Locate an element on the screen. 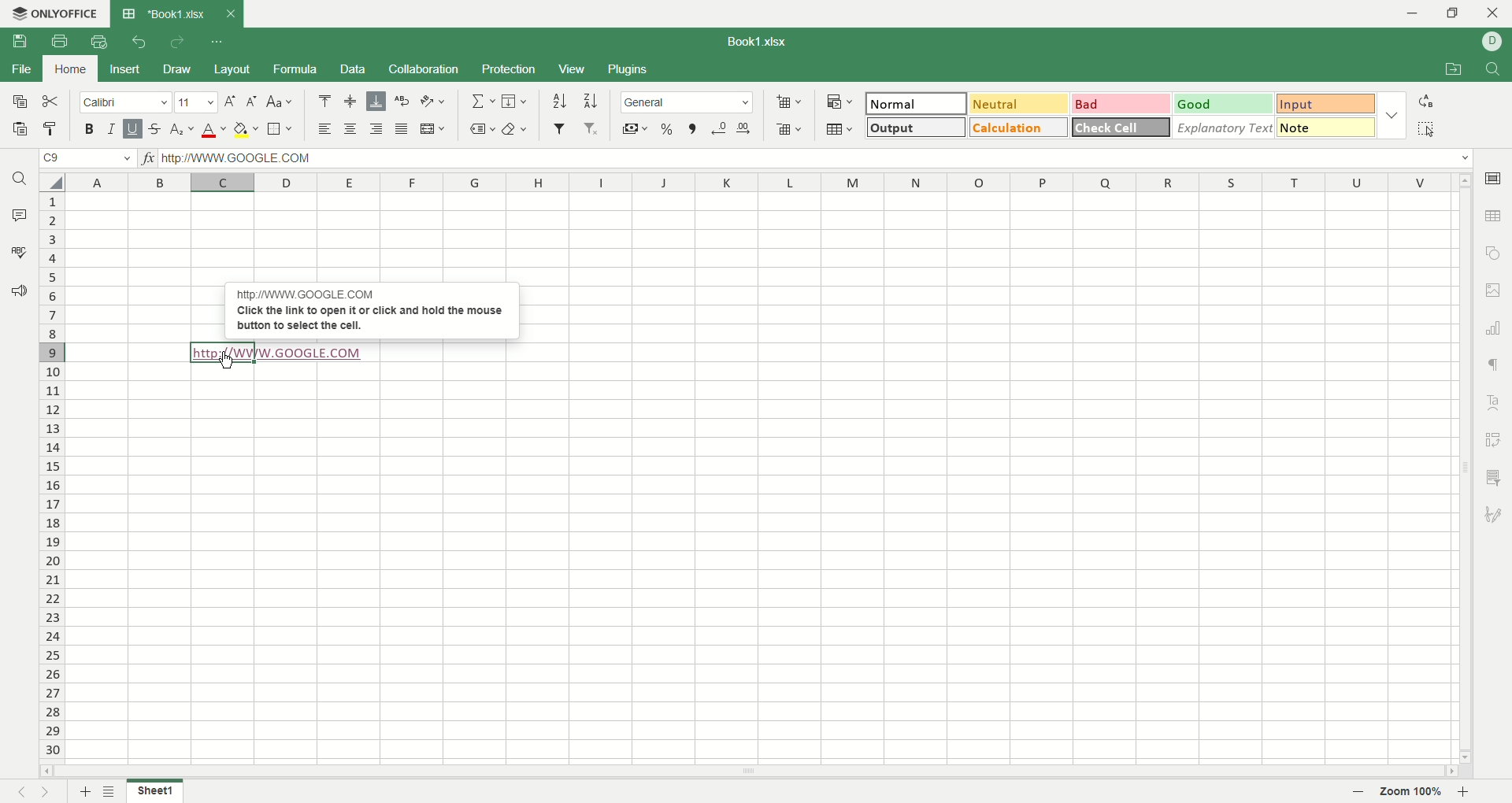 The image size is (1512, 803). previous is located at coordinates (20, 794).